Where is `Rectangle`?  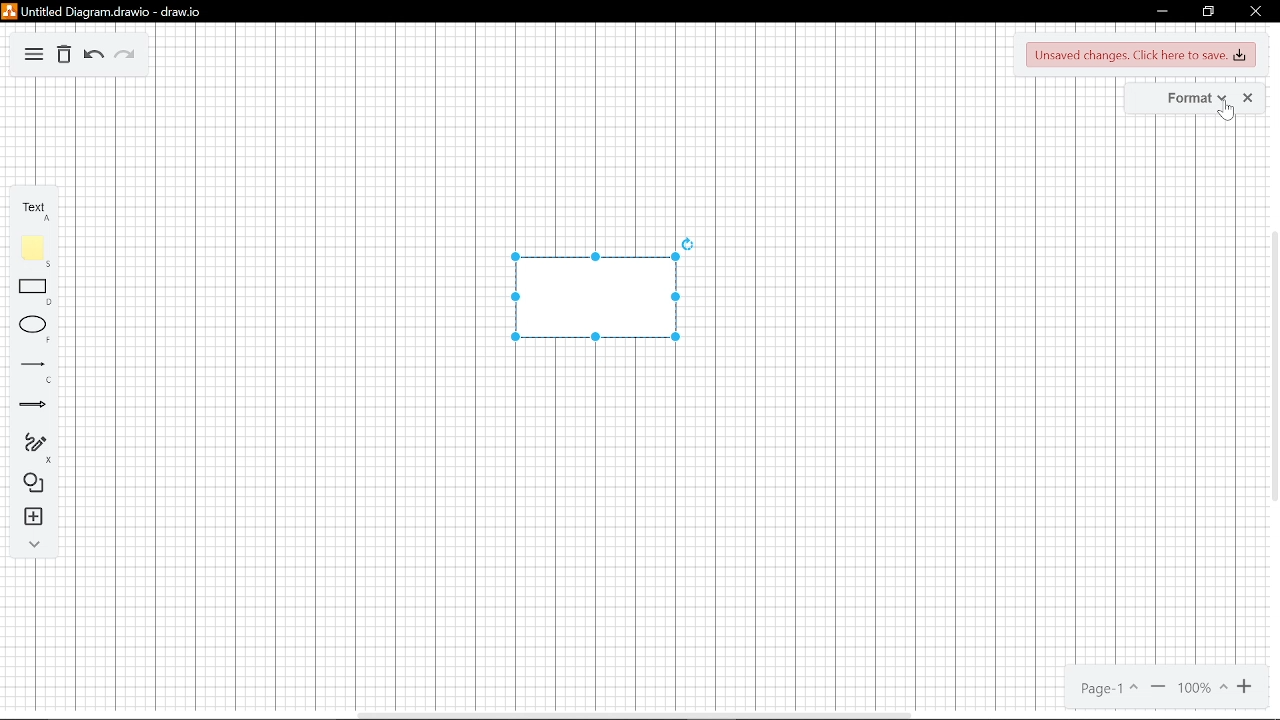 Rectangle is located at coordinates (34, 289).